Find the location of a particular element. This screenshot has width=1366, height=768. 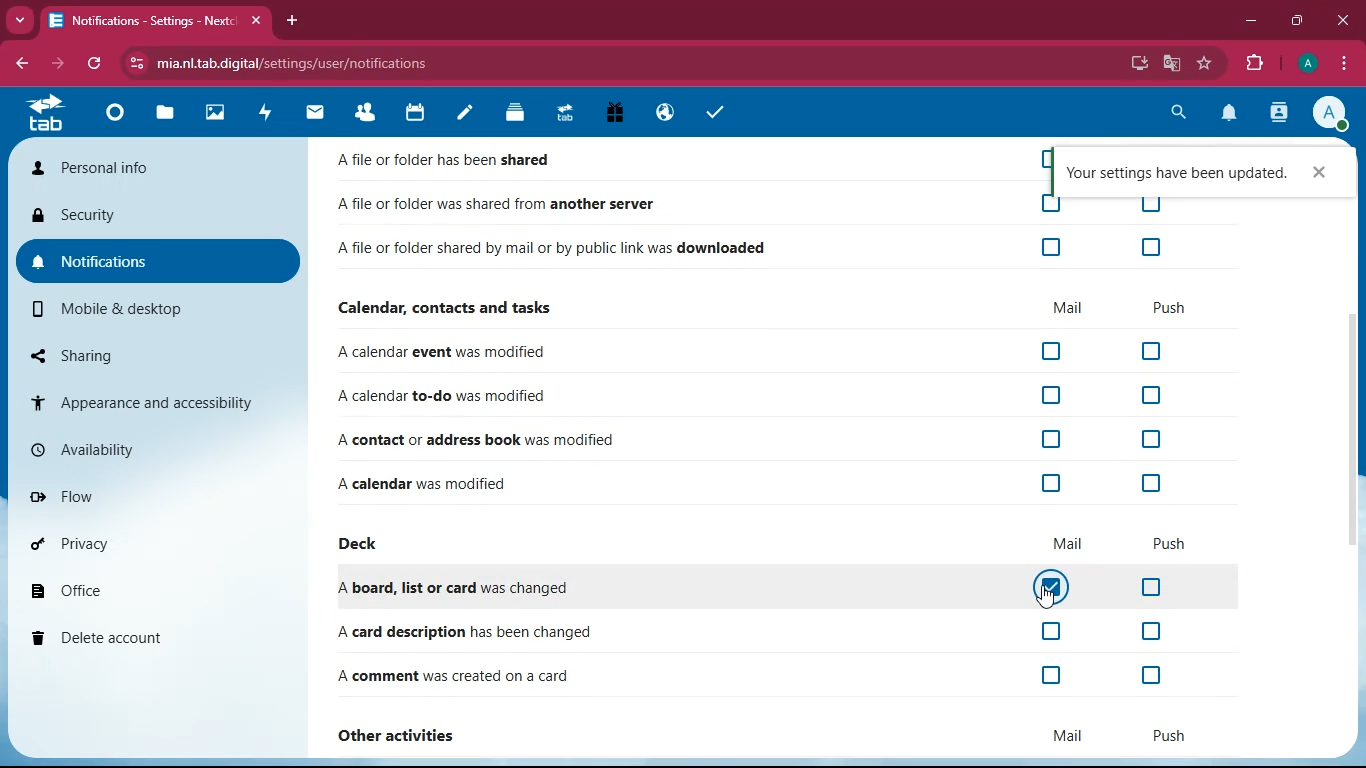

sharing is located at coordinates (159, 354).